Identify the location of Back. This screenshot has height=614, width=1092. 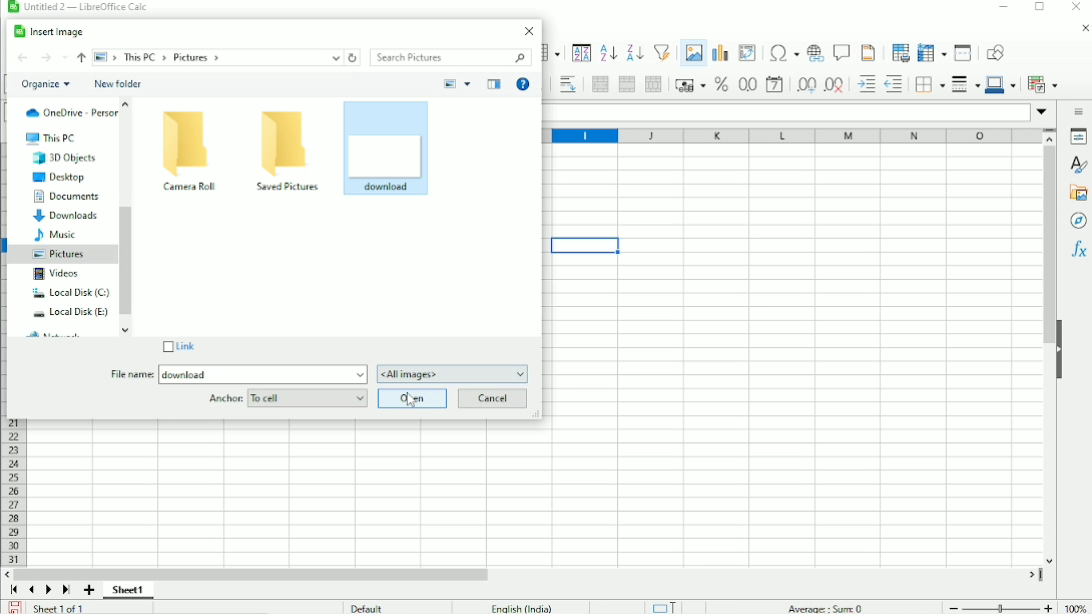
(23, 58).